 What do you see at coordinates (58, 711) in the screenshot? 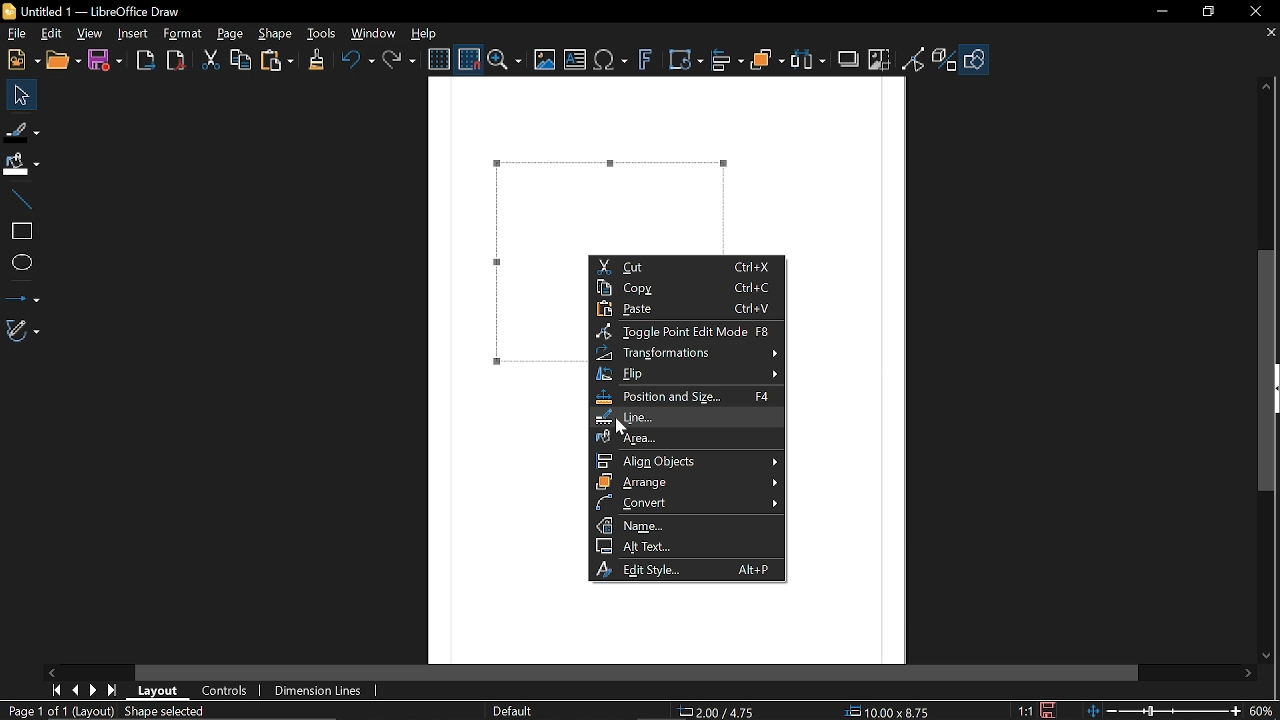
I see `Current page` at bounding box center [58, 711].